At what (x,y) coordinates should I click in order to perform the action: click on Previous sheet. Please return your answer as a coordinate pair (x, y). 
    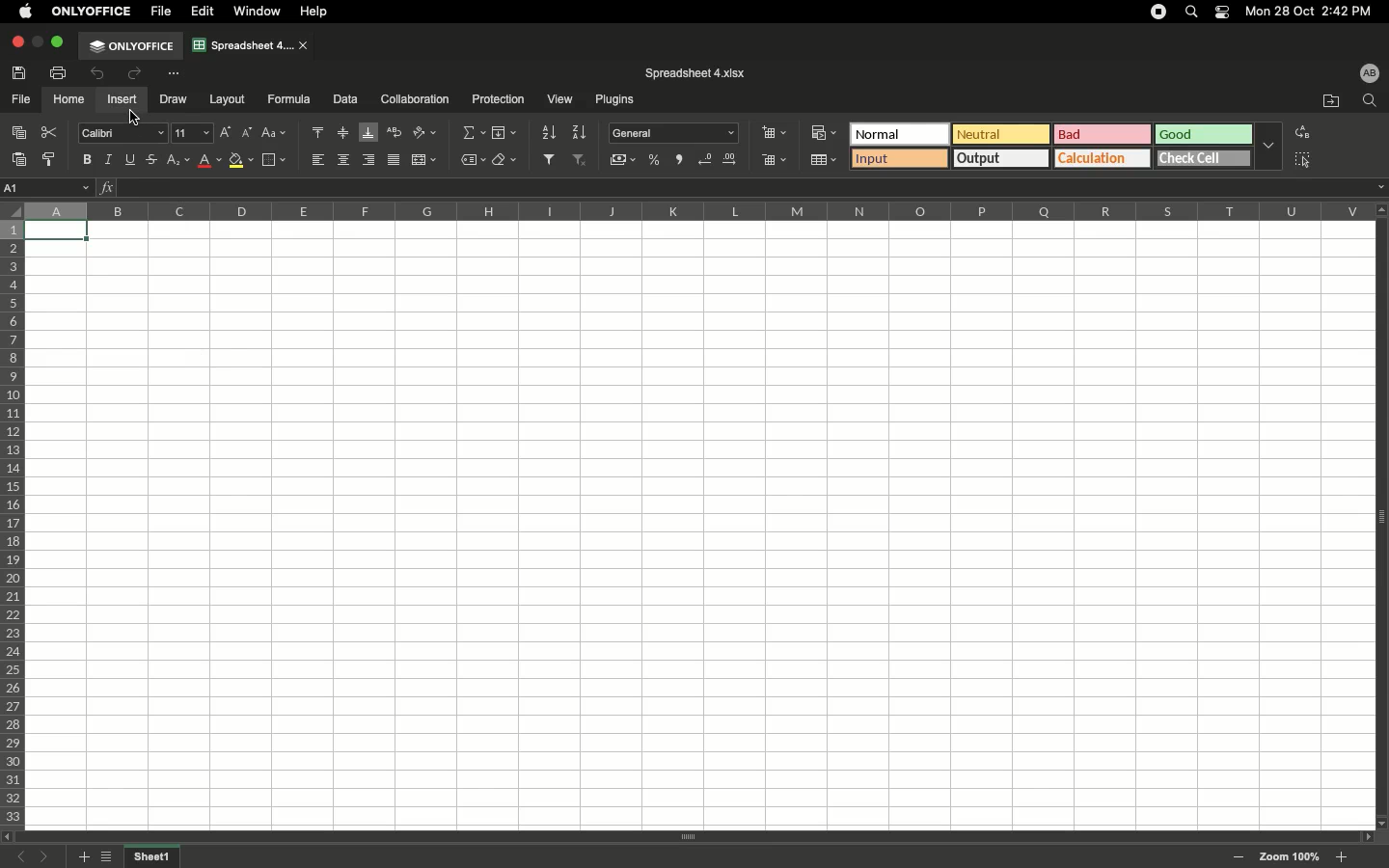
    Looking at the image, I should click on (25, 858).